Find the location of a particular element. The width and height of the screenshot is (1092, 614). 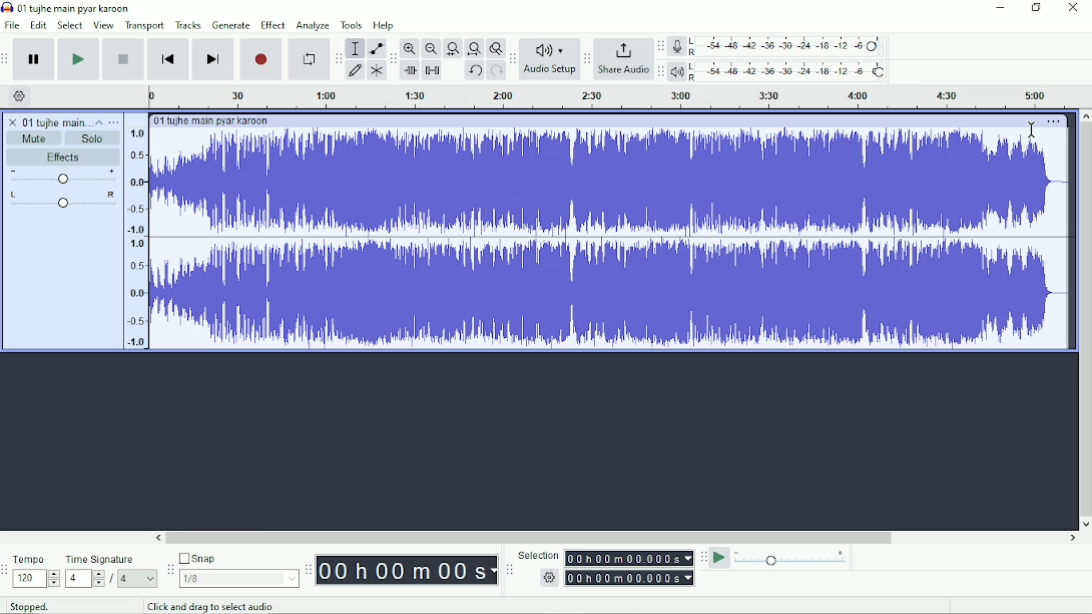

Click and drag to select audio is located at coordinates (215, 606).